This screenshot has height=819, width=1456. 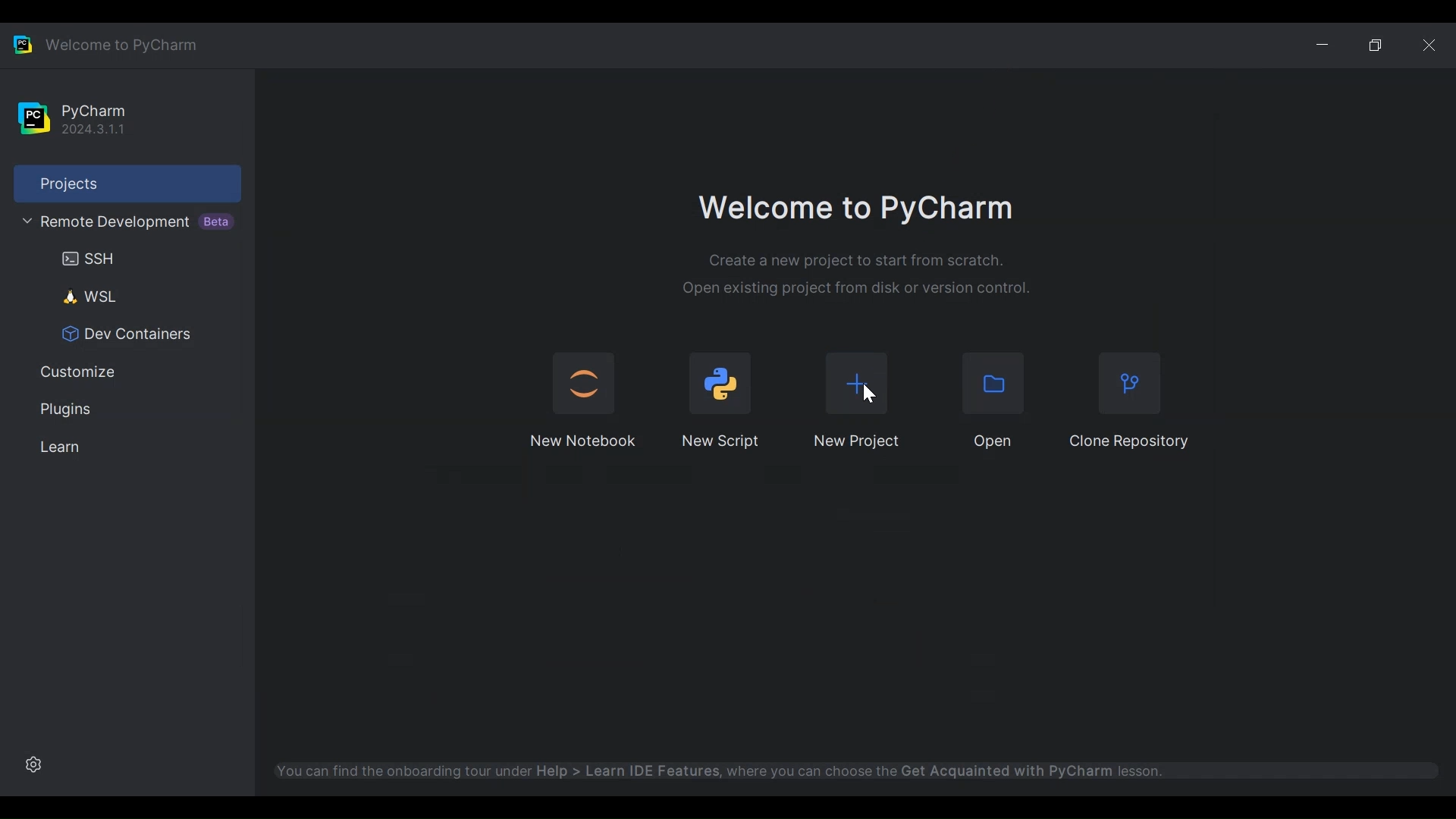 What do you see at coordinates (723, 441) in the screenshot?
I see `New Script` at bounding box center [723, 441].